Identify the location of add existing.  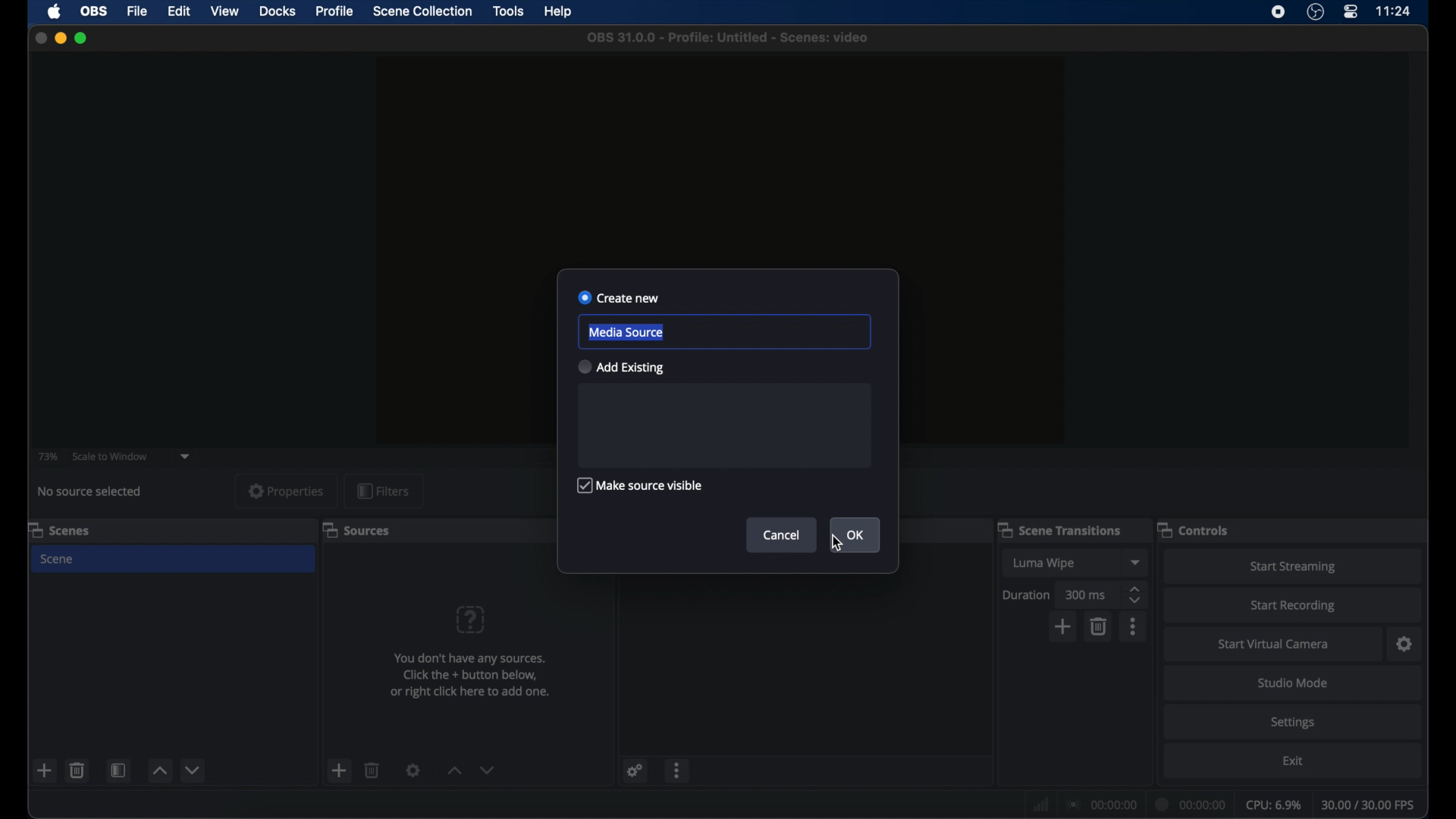
(620, 367).